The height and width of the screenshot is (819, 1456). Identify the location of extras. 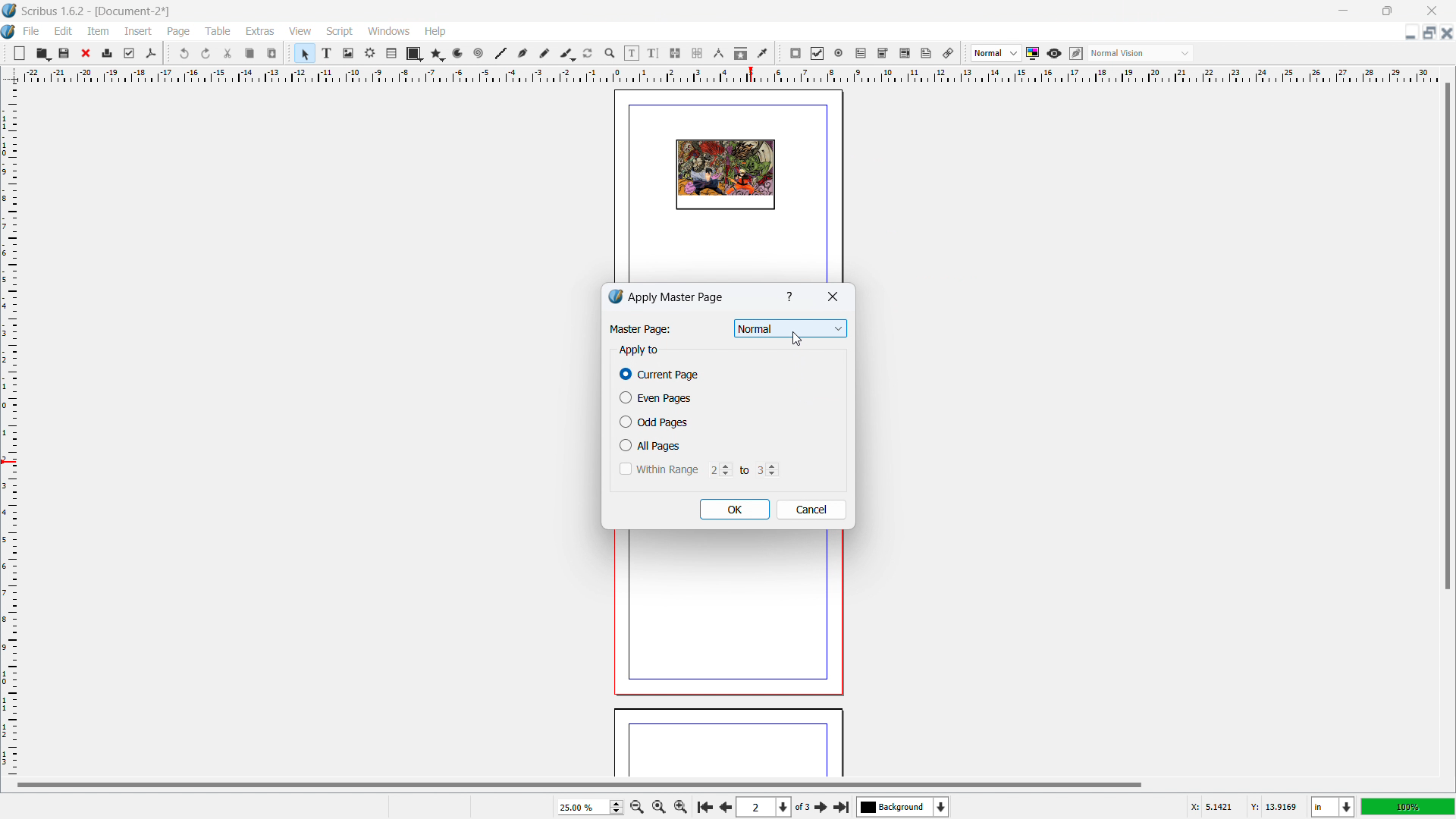
(261, 31).